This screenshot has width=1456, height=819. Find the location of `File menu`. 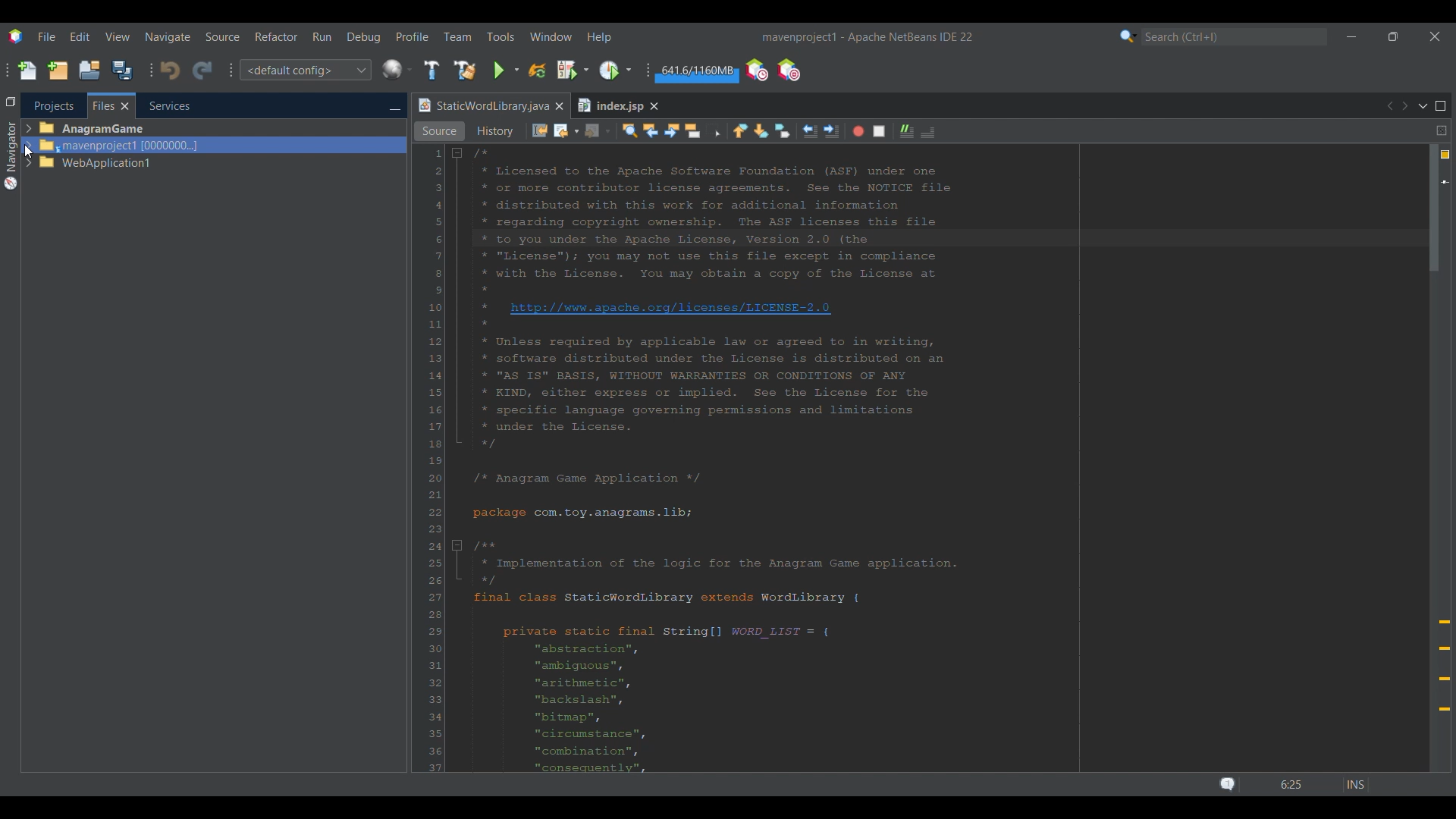

File menu is located at coordinates (46, 36).